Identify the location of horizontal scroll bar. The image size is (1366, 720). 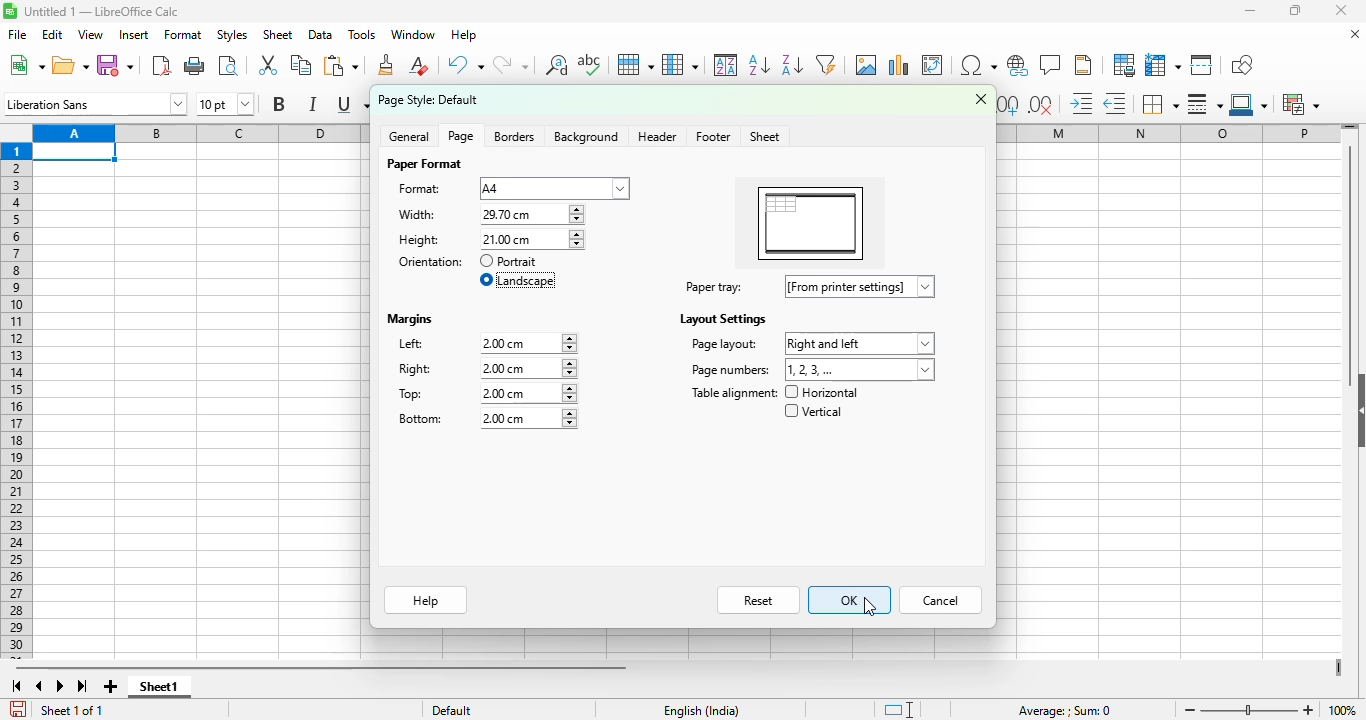
(320, 669).